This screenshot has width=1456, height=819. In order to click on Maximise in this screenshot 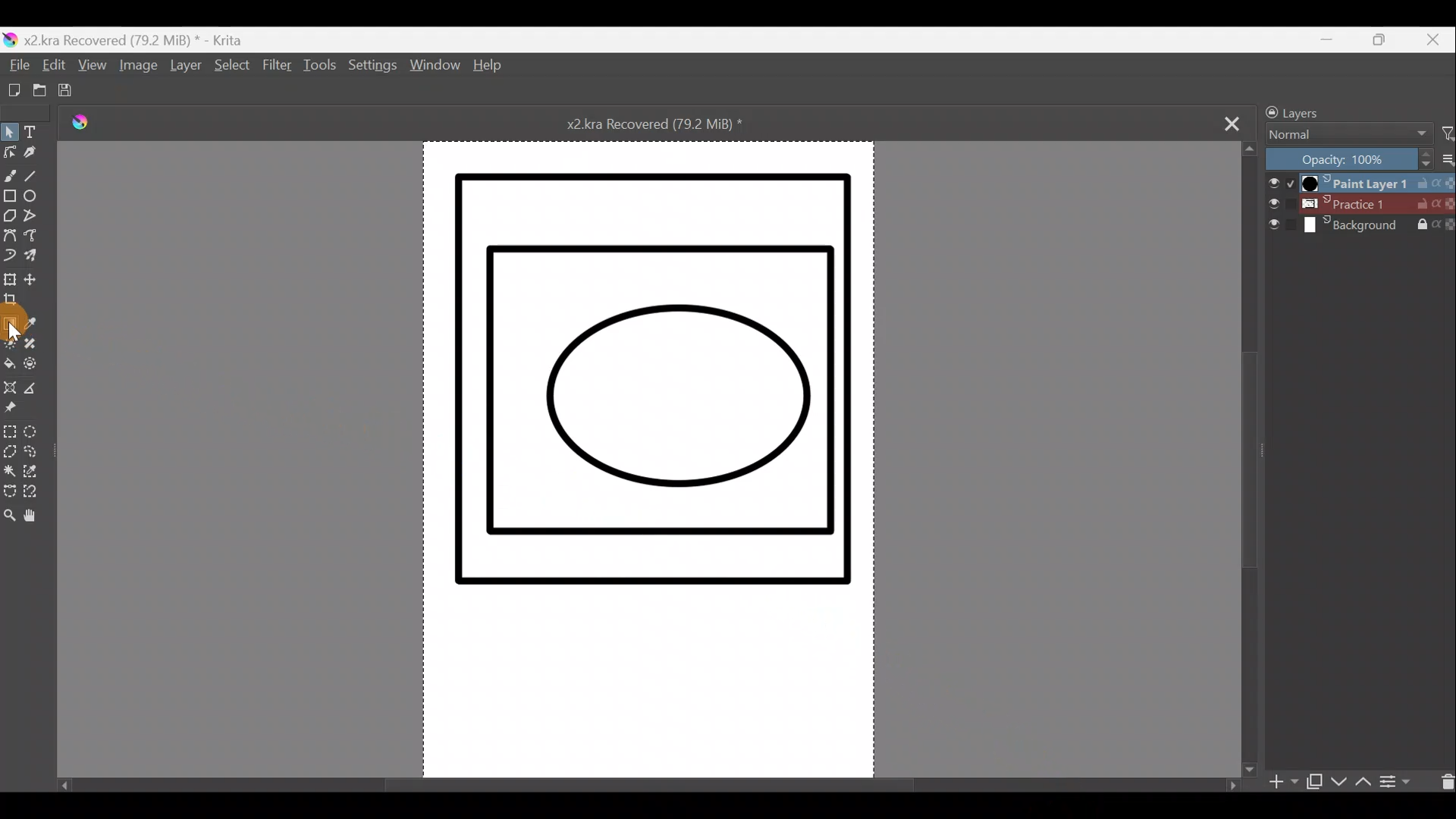, I will do `click(1386, 40)`.